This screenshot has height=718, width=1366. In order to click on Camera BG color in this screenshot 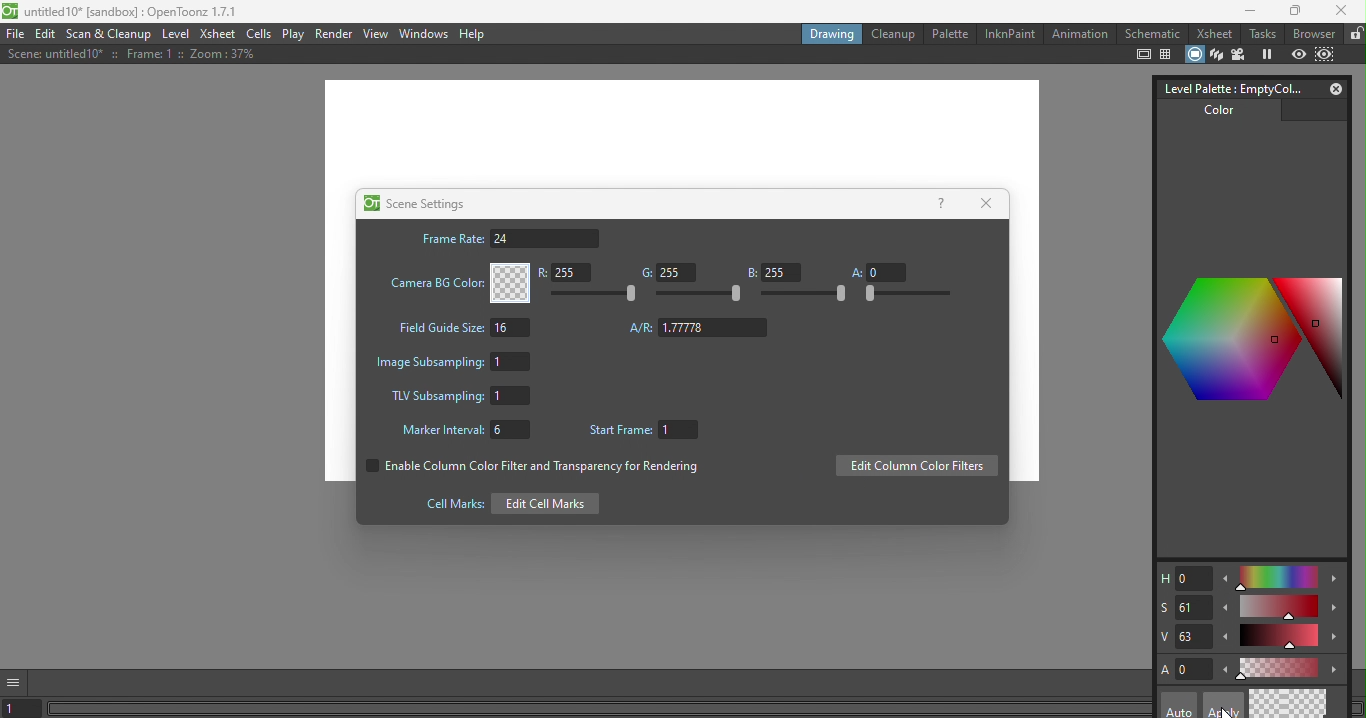, I will do `click(457, 283)`.